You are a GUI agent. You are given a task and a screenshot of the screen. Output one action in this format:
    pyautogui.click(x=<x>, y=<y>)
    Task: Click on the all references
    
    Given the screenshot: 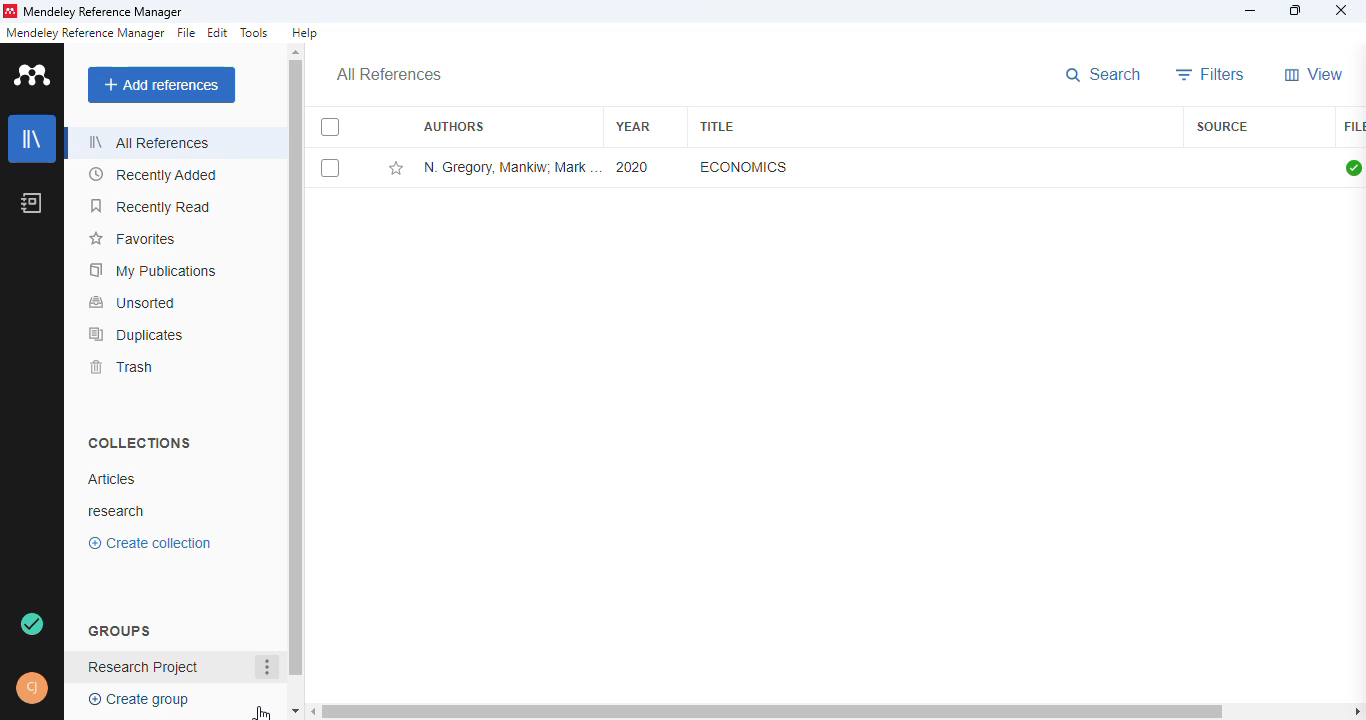 What is the action you would take?
    pyautogui.click(x=390, y=73)
    